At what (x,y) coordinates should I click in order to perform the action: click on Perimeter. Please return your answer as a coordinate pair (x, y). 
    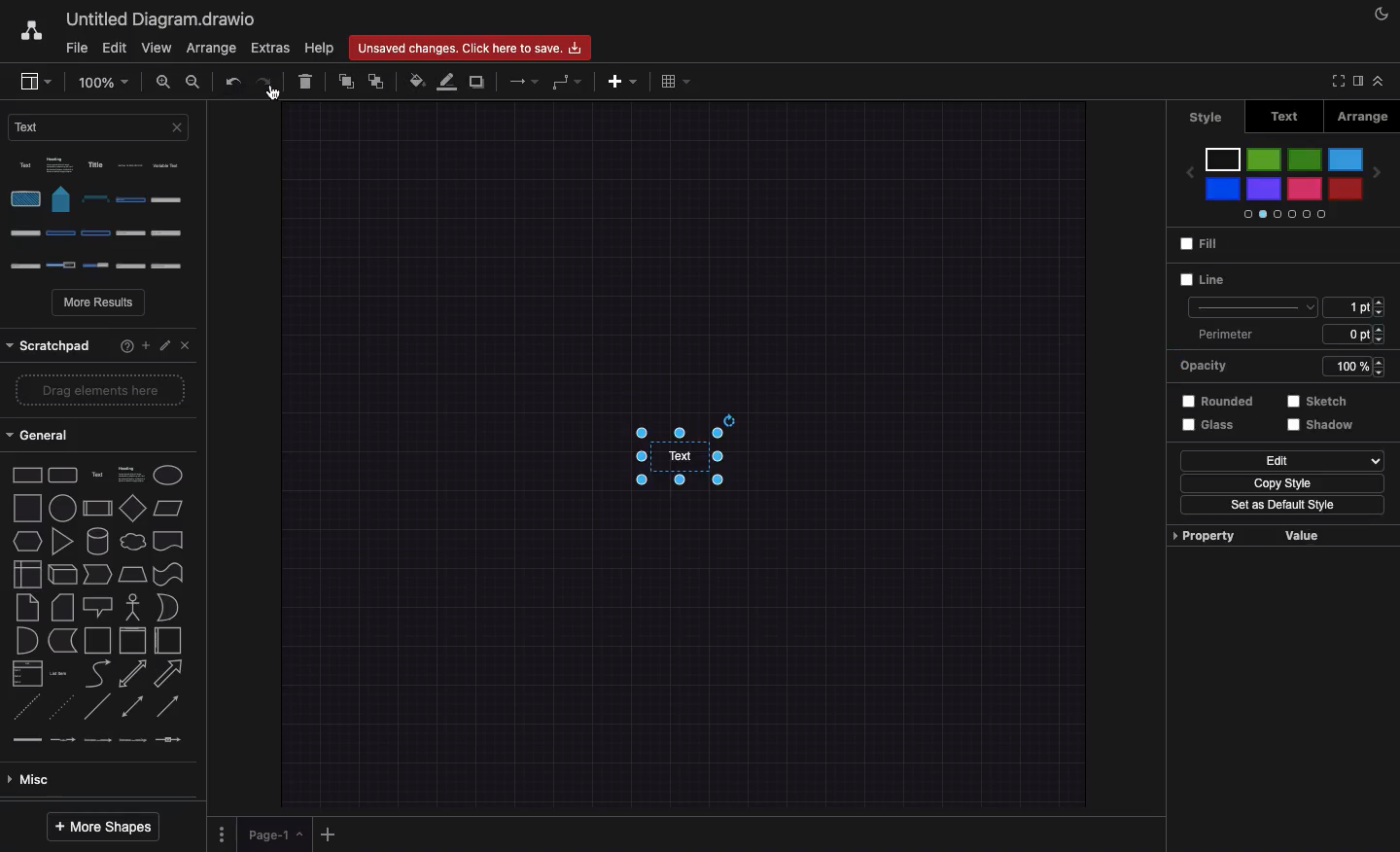
    Looking at the image, I should click on (1286, 335).